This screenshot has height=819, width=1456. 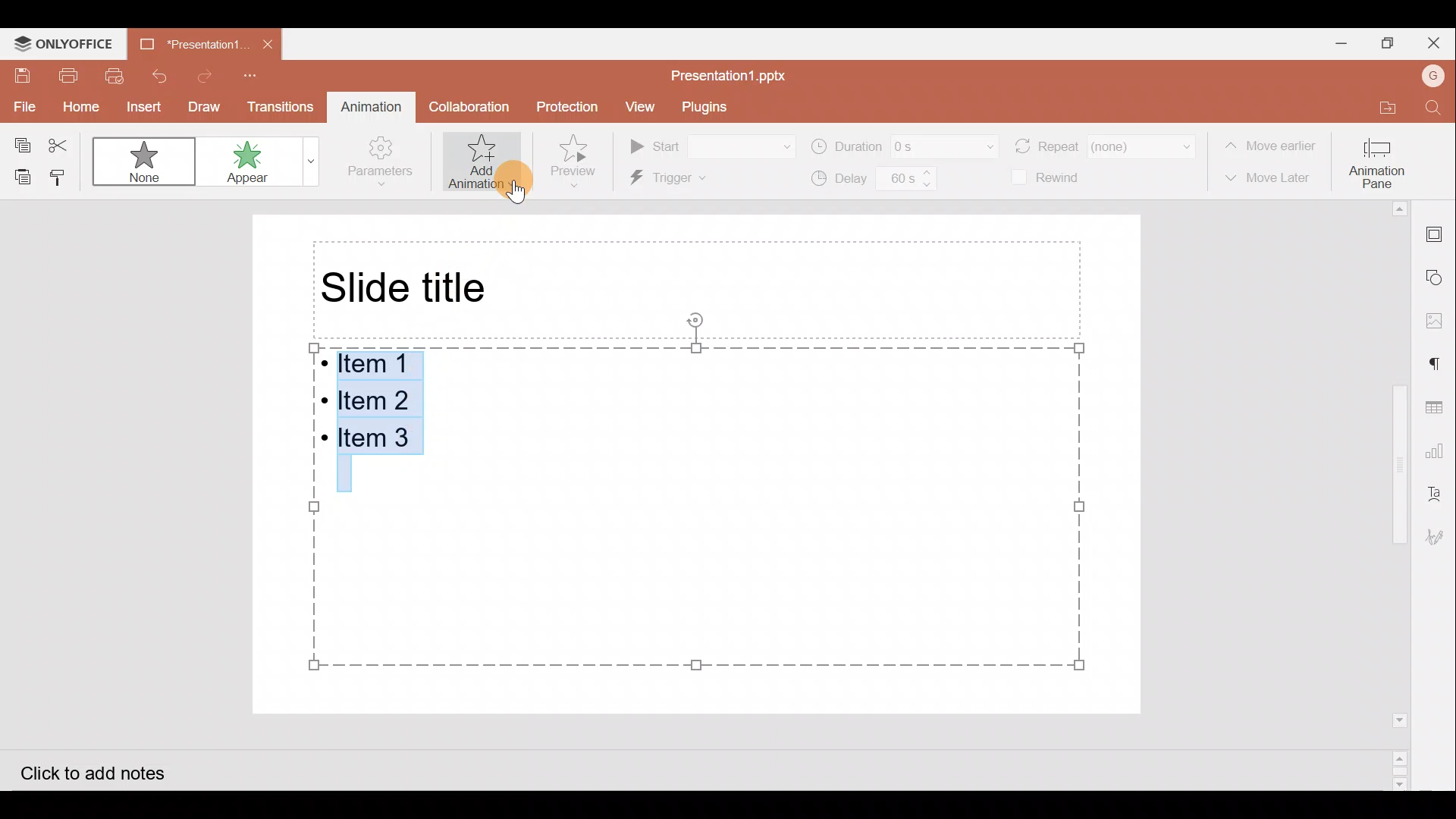 I want to click on Appear, so click(x=261, y=165).